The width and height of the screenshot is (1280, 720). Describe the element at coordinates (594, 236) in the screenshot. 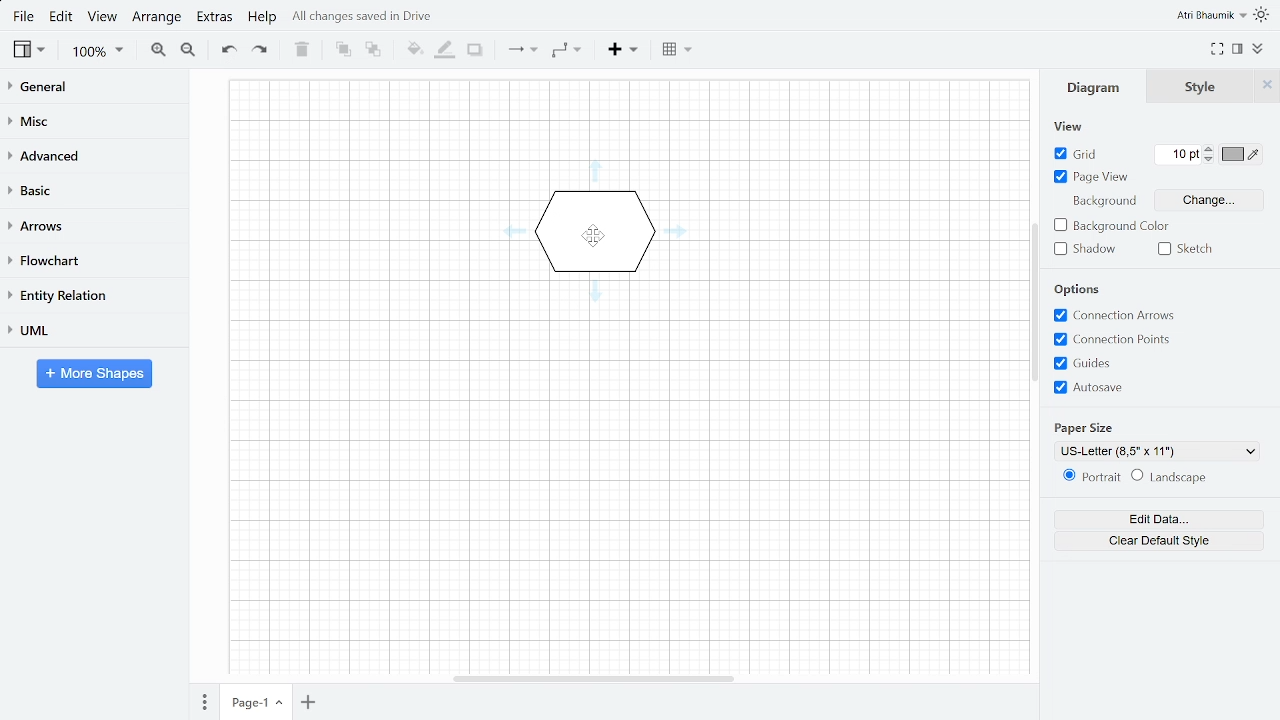

I see `Cursor` at that location.